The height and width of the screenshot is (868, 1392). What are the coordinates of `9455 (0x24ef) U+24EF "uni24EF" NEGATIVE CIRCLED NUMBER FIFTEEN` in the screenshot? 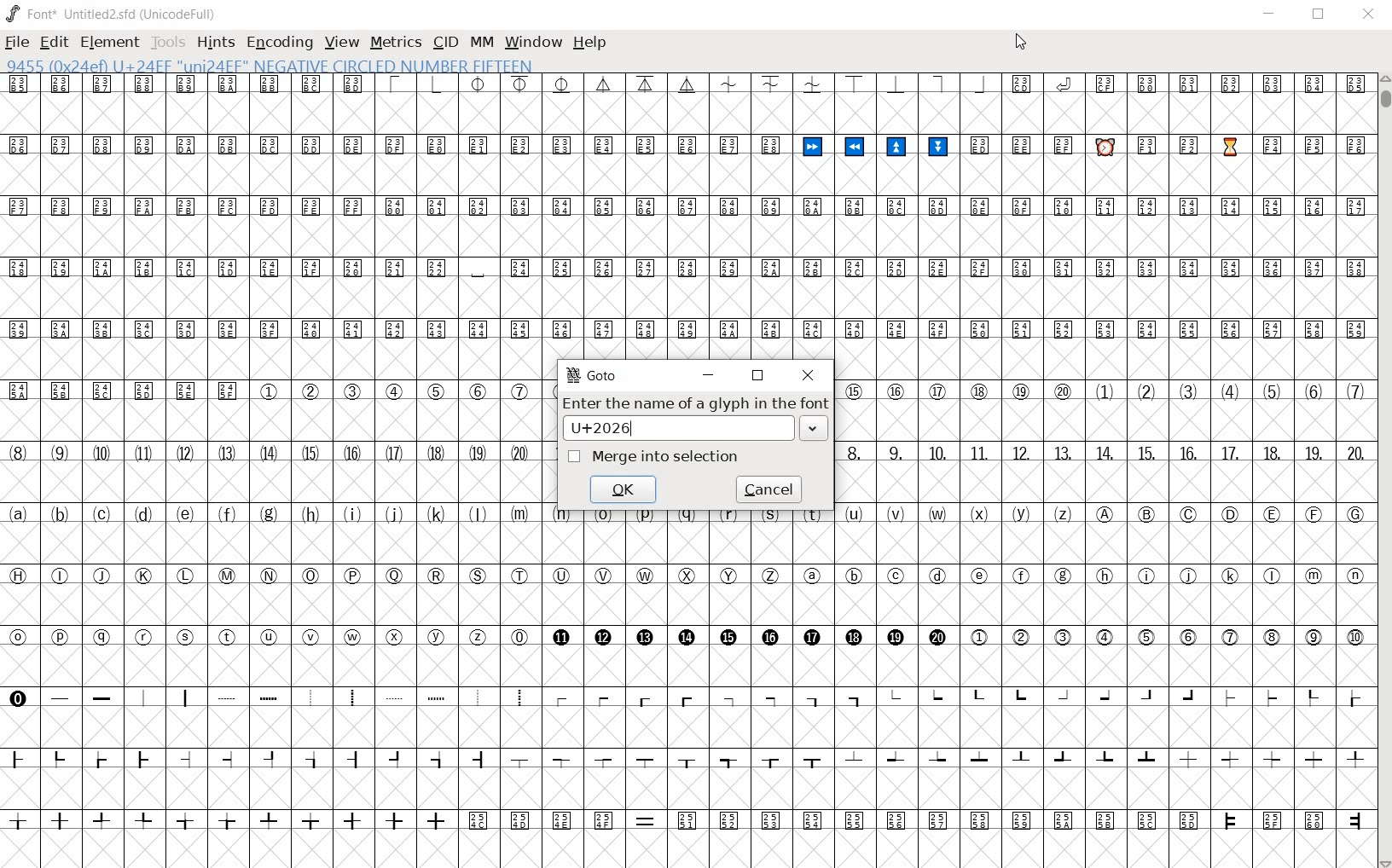 It's located at (270, 65).